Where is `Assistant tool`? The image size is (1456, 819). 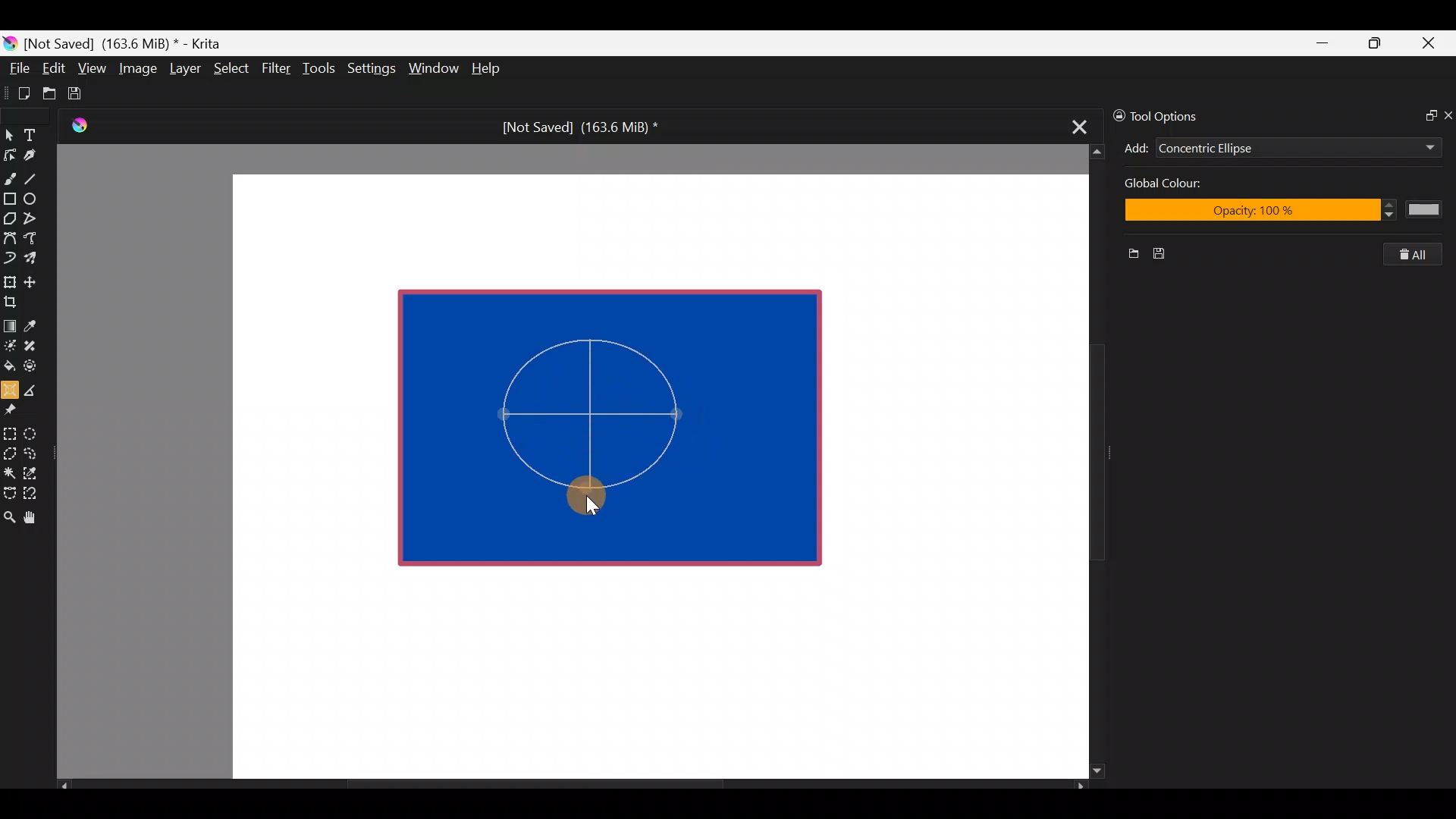
Assistant tool is located at coordinates (9, 385).